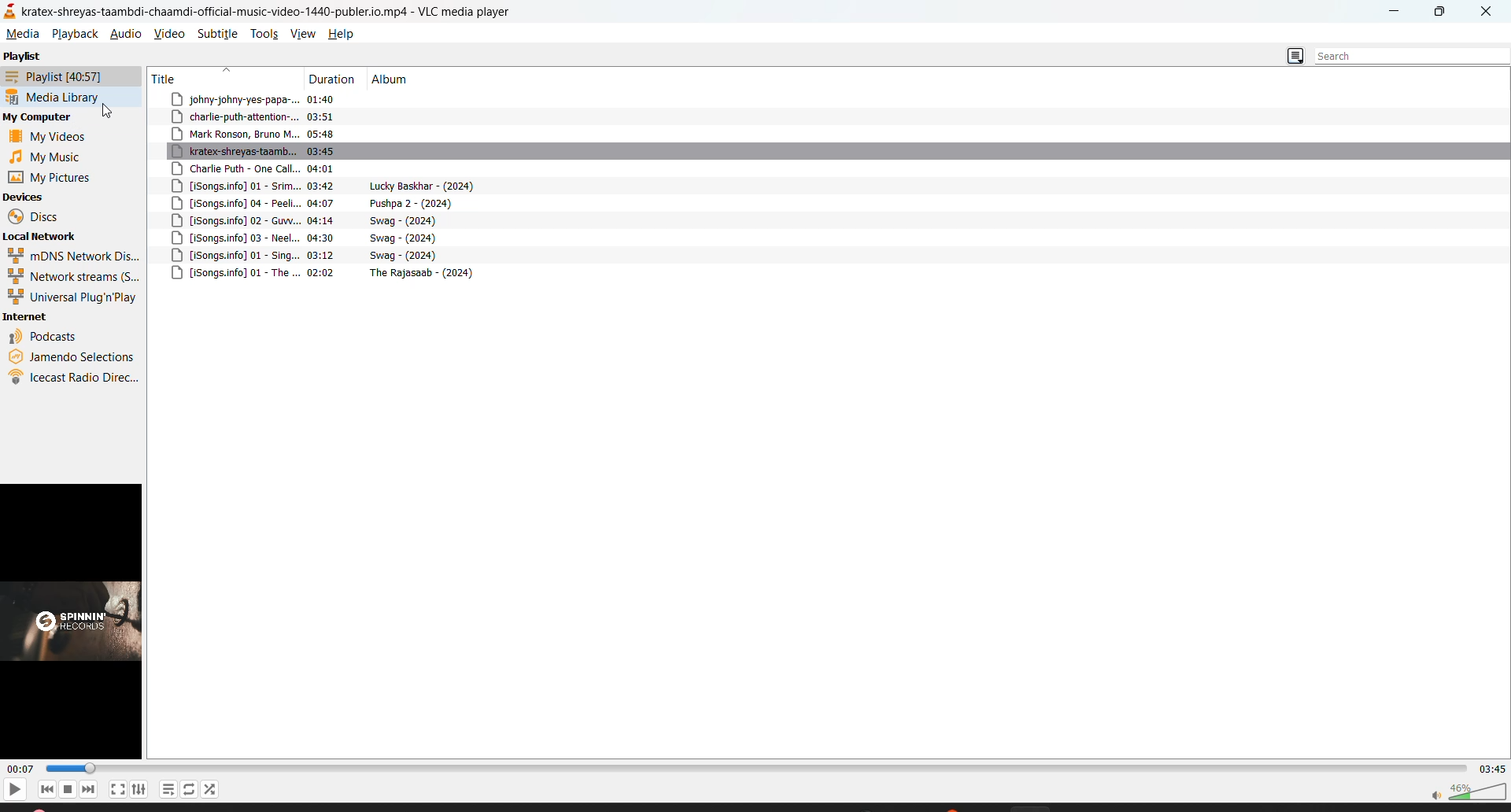 The width and height of the screenshot is (1511, 812). What do you see at coordinates (138, 789) in the screenshot?
I see `settings` at bounding box center [138, 789].